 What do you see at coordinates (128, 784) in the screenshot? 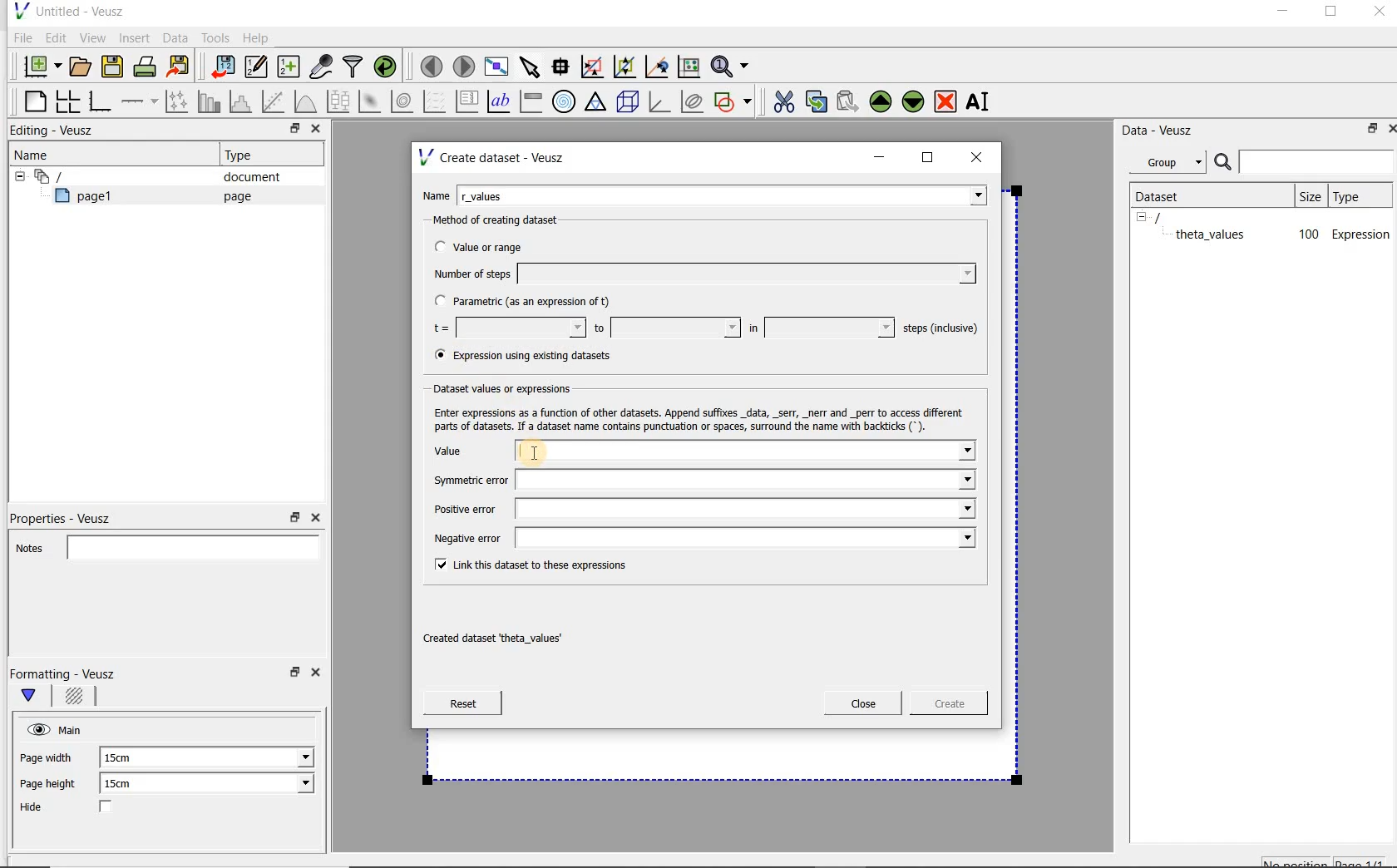
I see `15cm` at bounding box center [128, 784].